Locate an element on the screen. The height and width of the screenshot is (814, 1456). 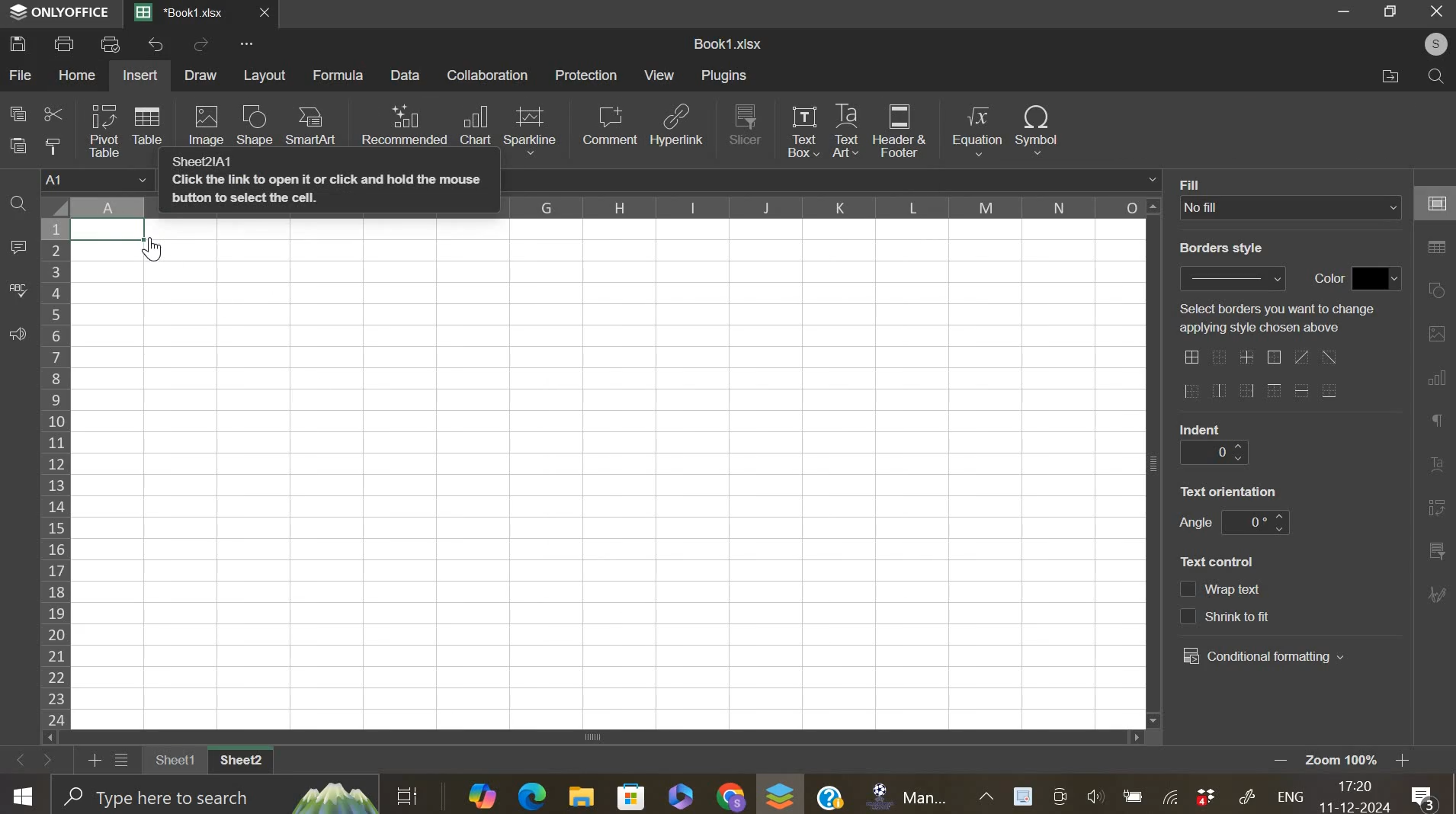
column is located at coordinates (825, 207).